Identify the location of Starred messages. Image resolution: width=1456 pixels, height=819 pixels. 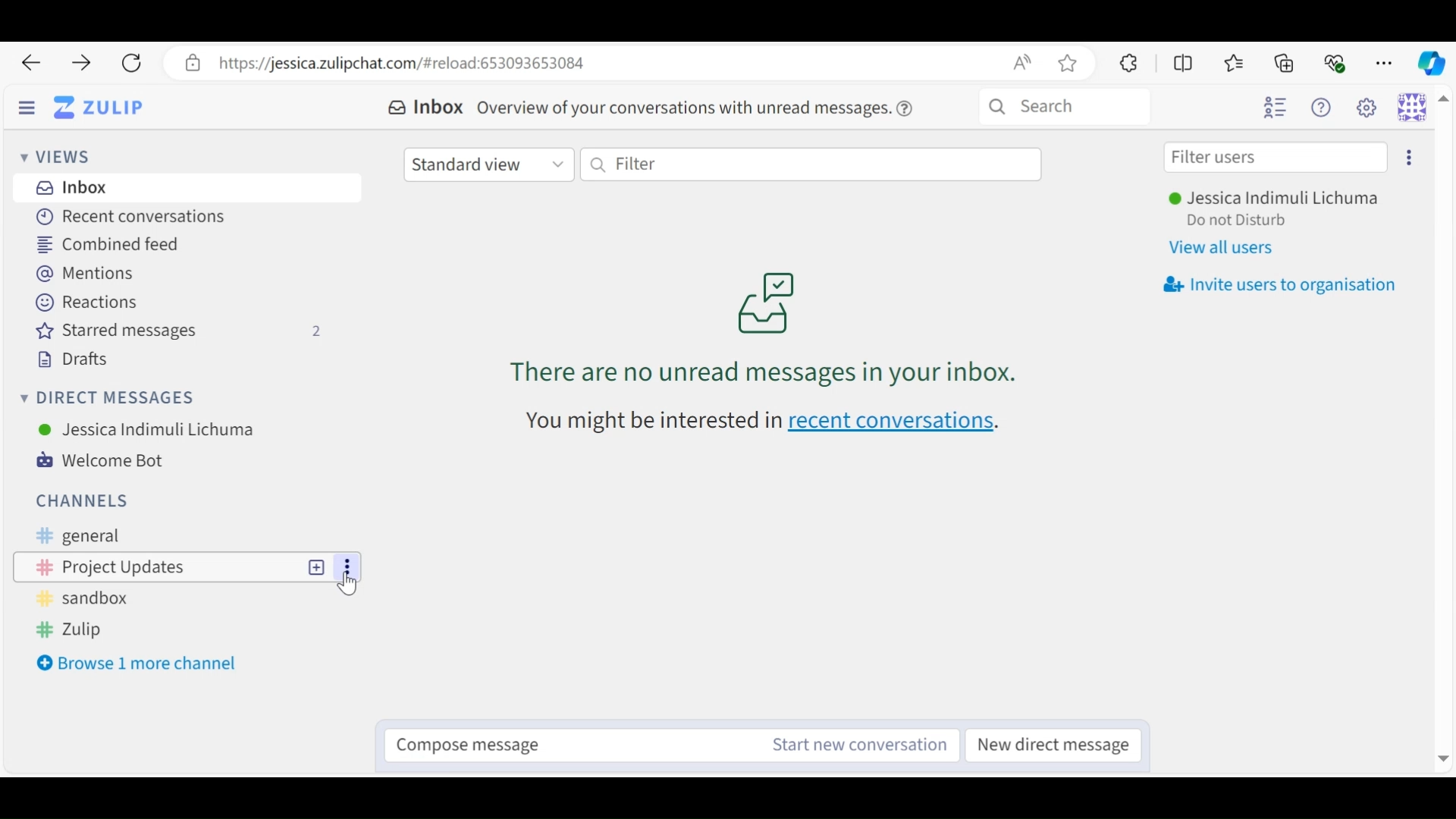
(184, 331).